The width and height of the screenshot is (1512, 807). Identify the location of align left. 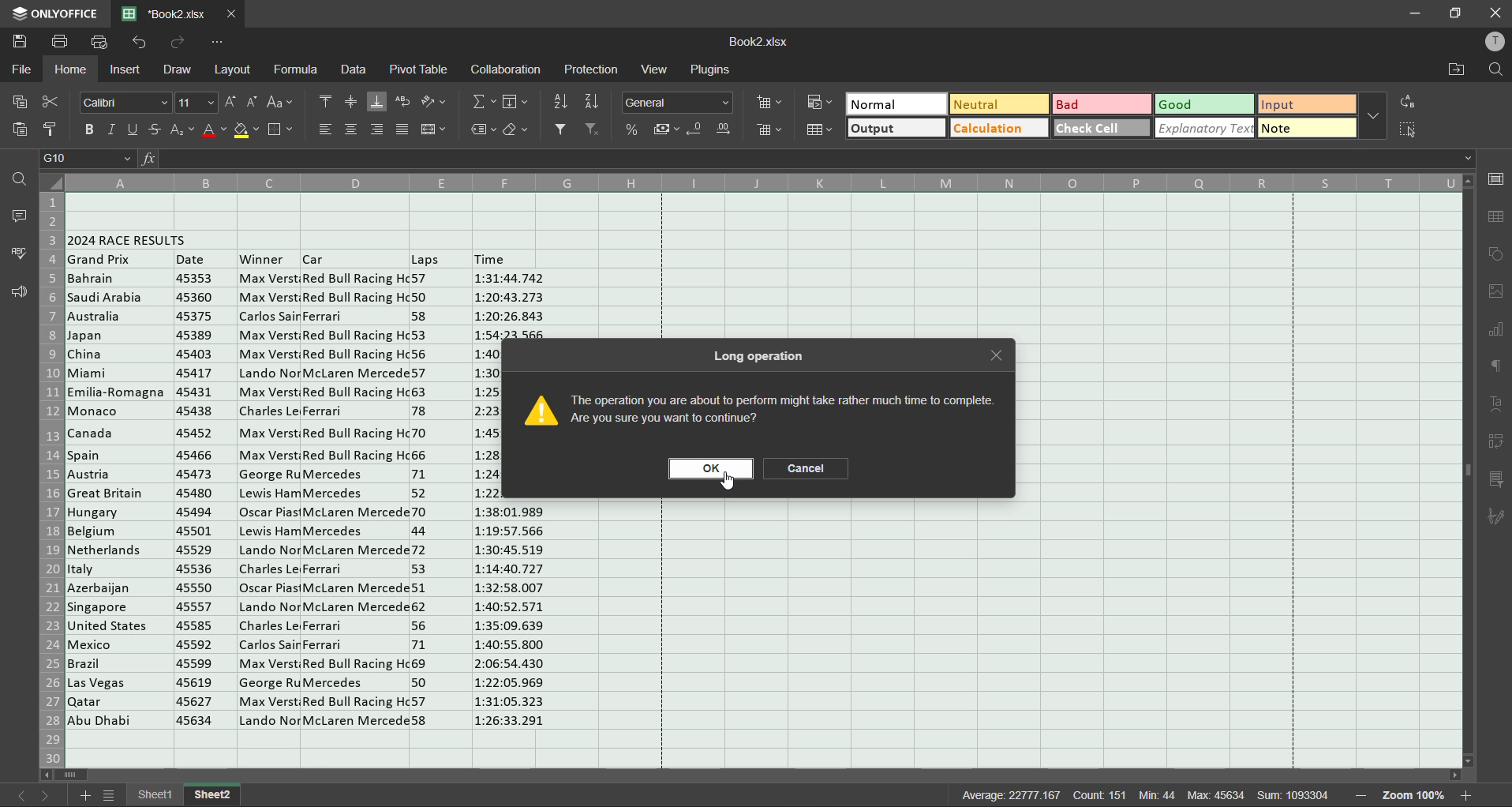
(326, 129).